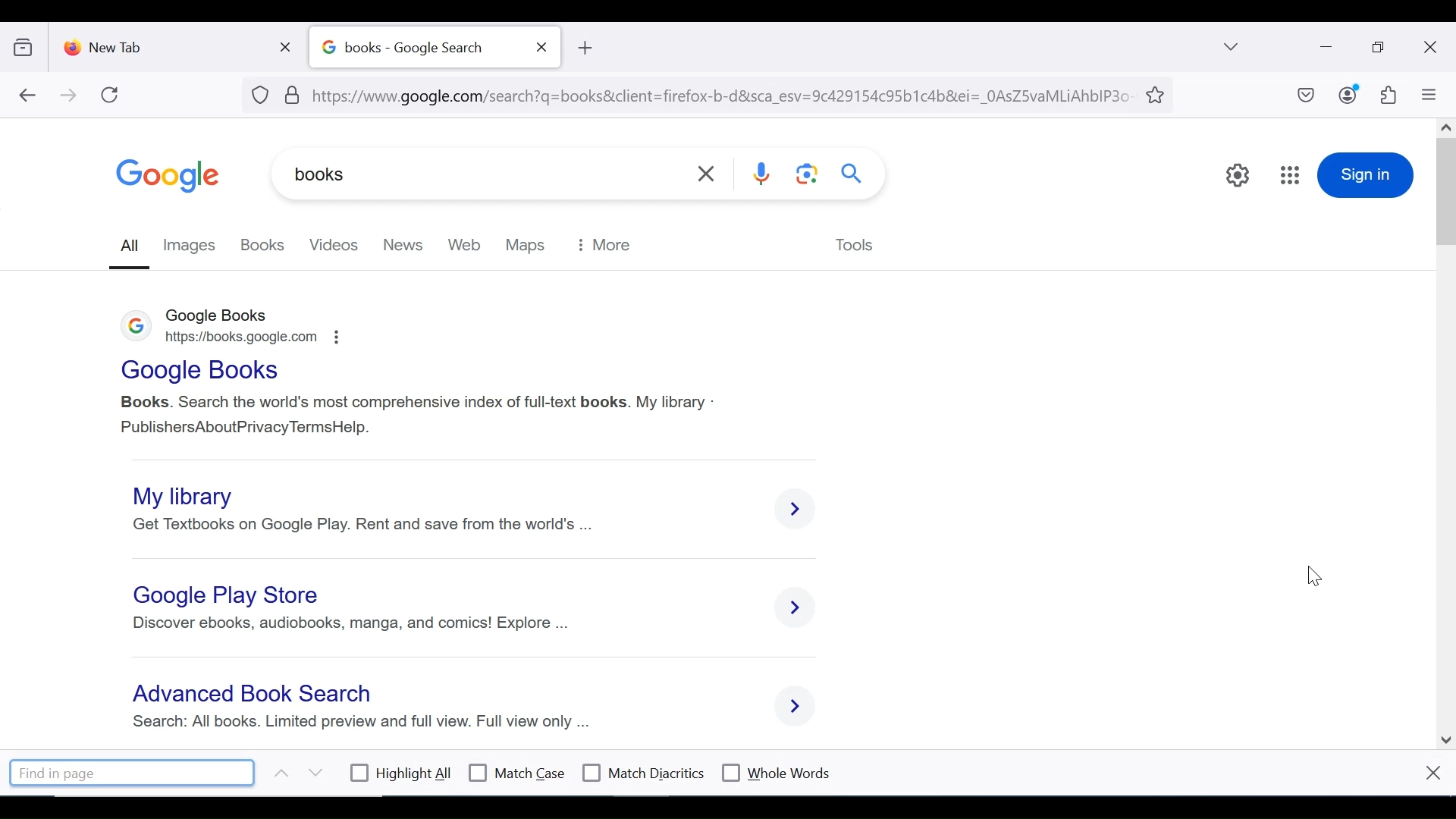 The height and width of the screenshot is (819, 1456). I want to click on google logo, so click(168, 176).